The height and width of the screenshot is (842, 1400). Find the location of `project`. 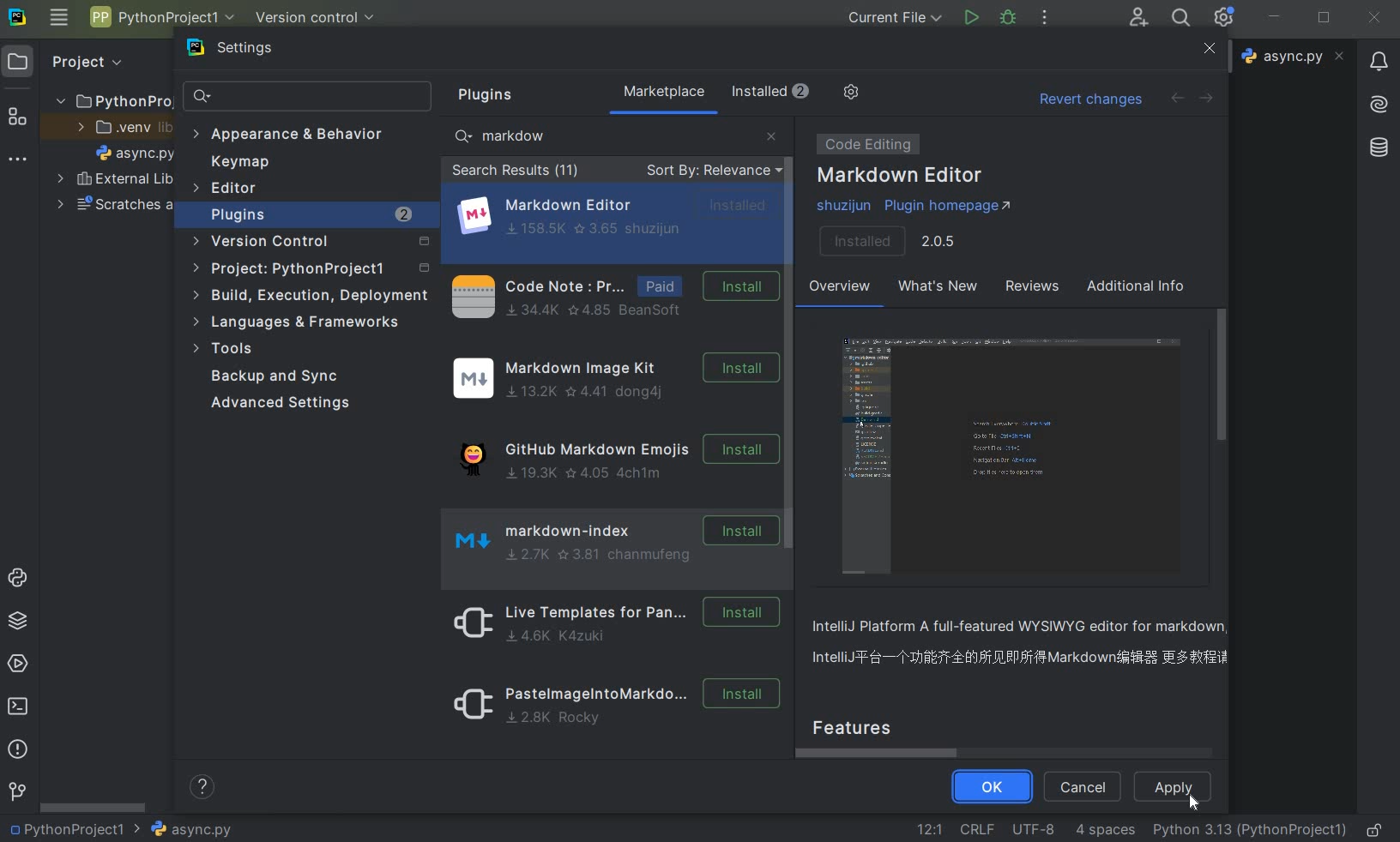

project is located at coordinates (74, 62).